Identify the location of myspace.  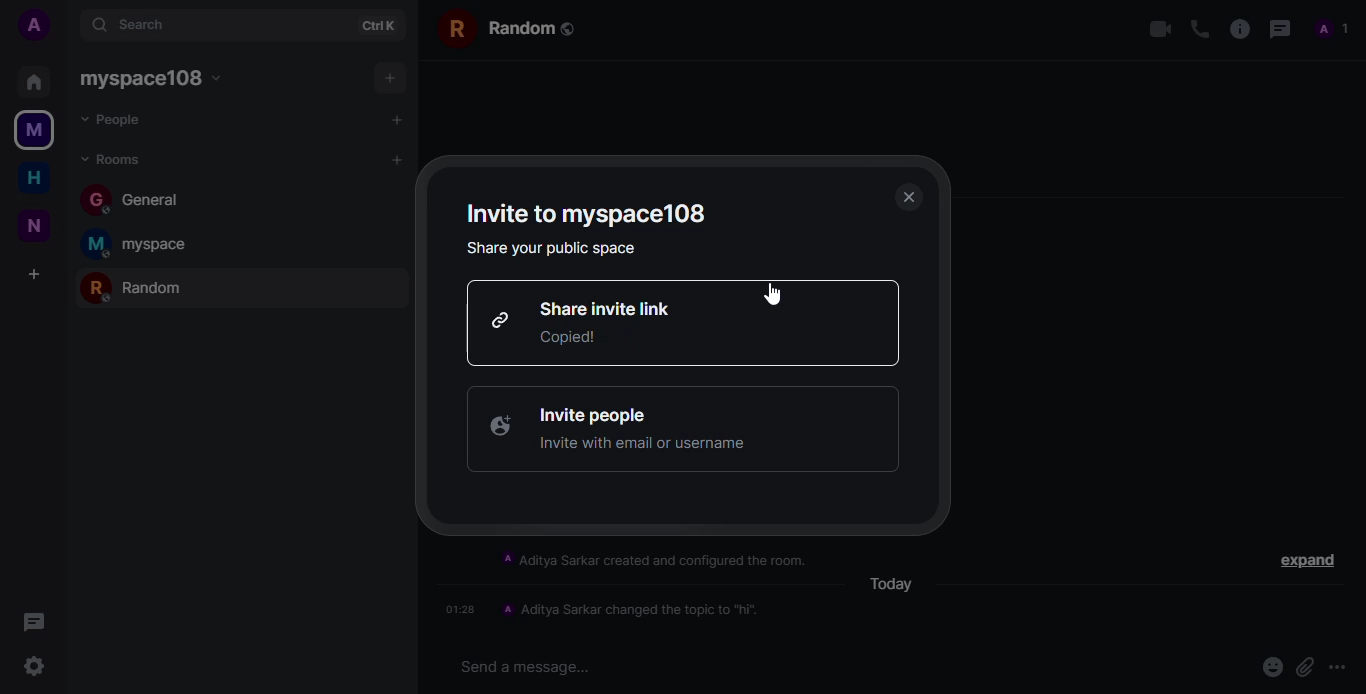
(35, 131).